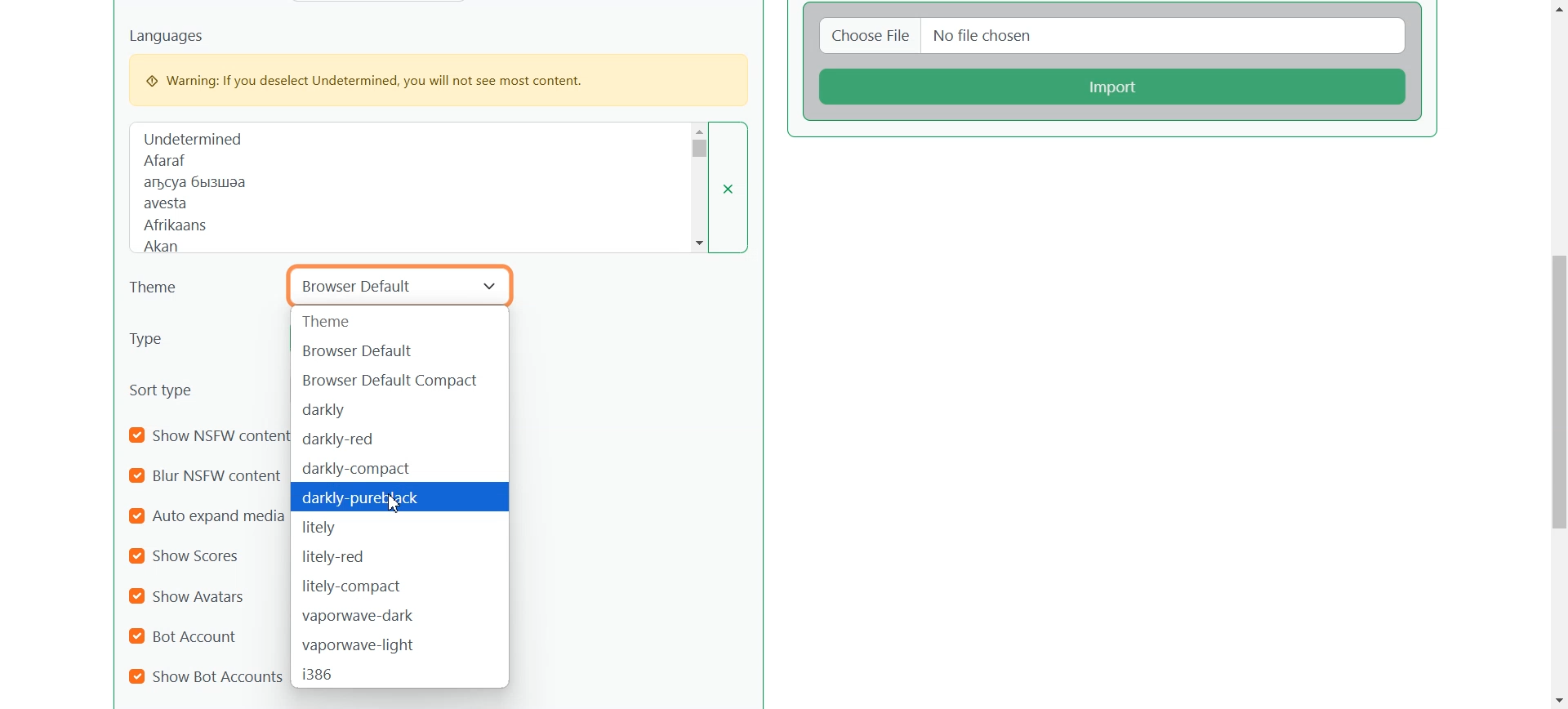  What do you see at coordinates (207, 515) in the screenshot?
I see `Auto expand media` at bounding box center [207, 515].